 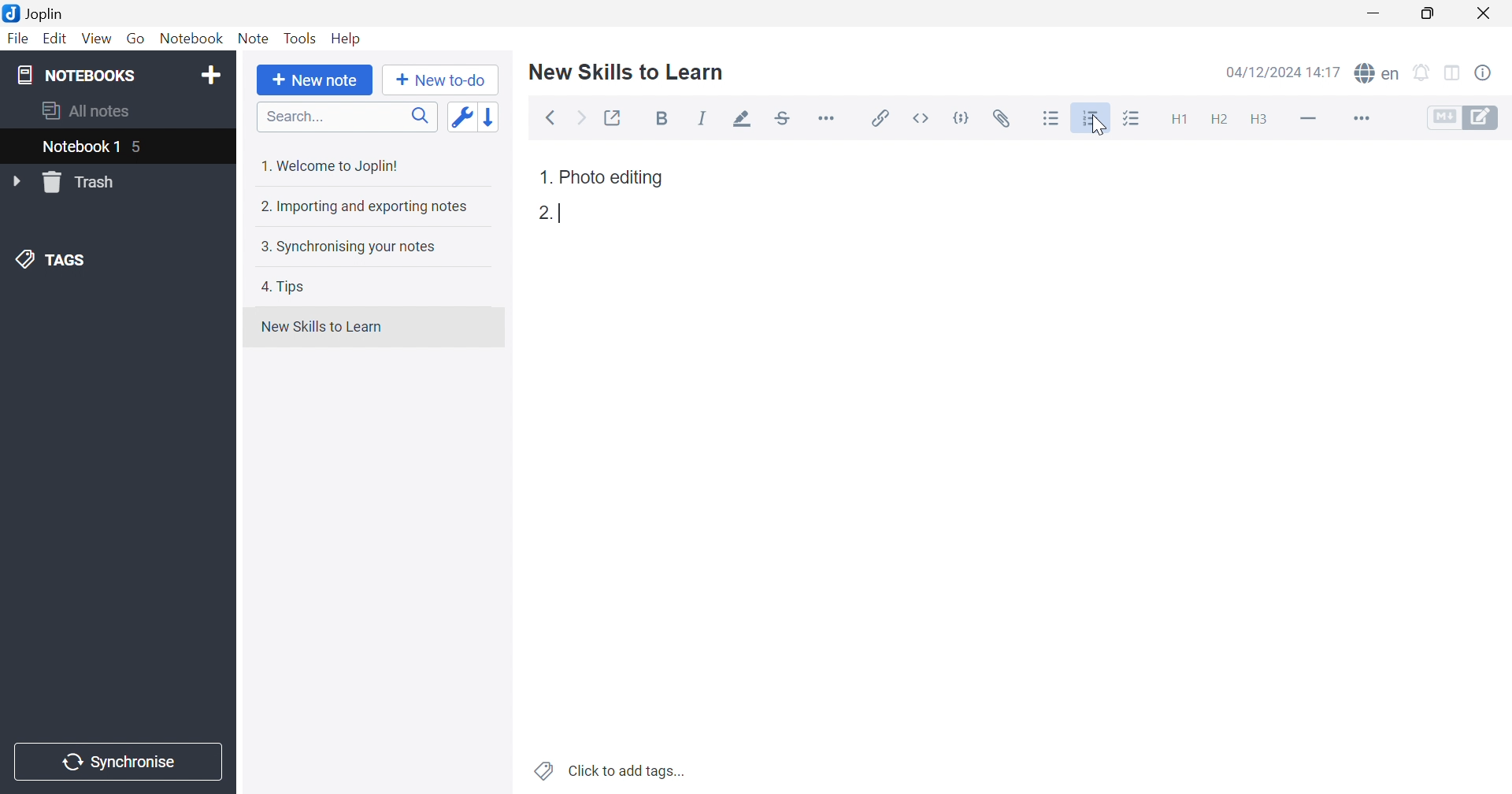 I want to click on 14:15, so click(x=1329, y=72).